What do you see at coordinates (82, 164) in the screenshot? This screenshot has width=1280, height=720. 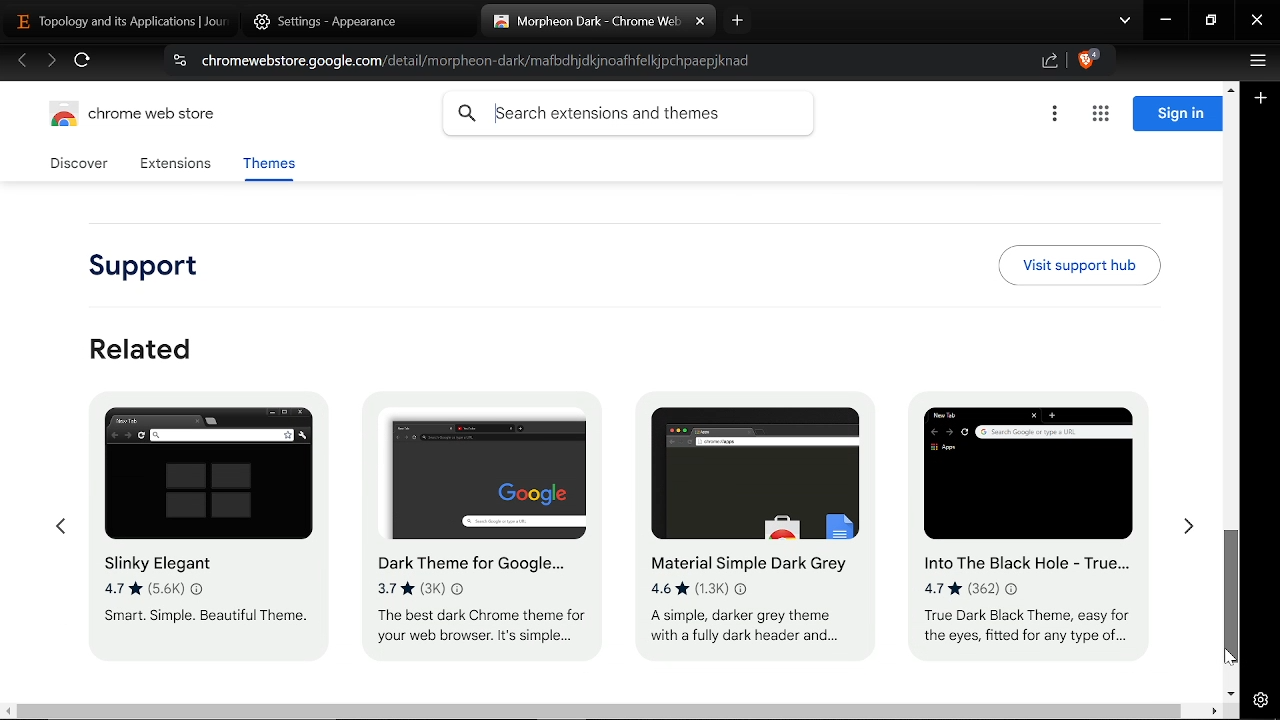 I see `Discover` at bounding box center [82, 164].